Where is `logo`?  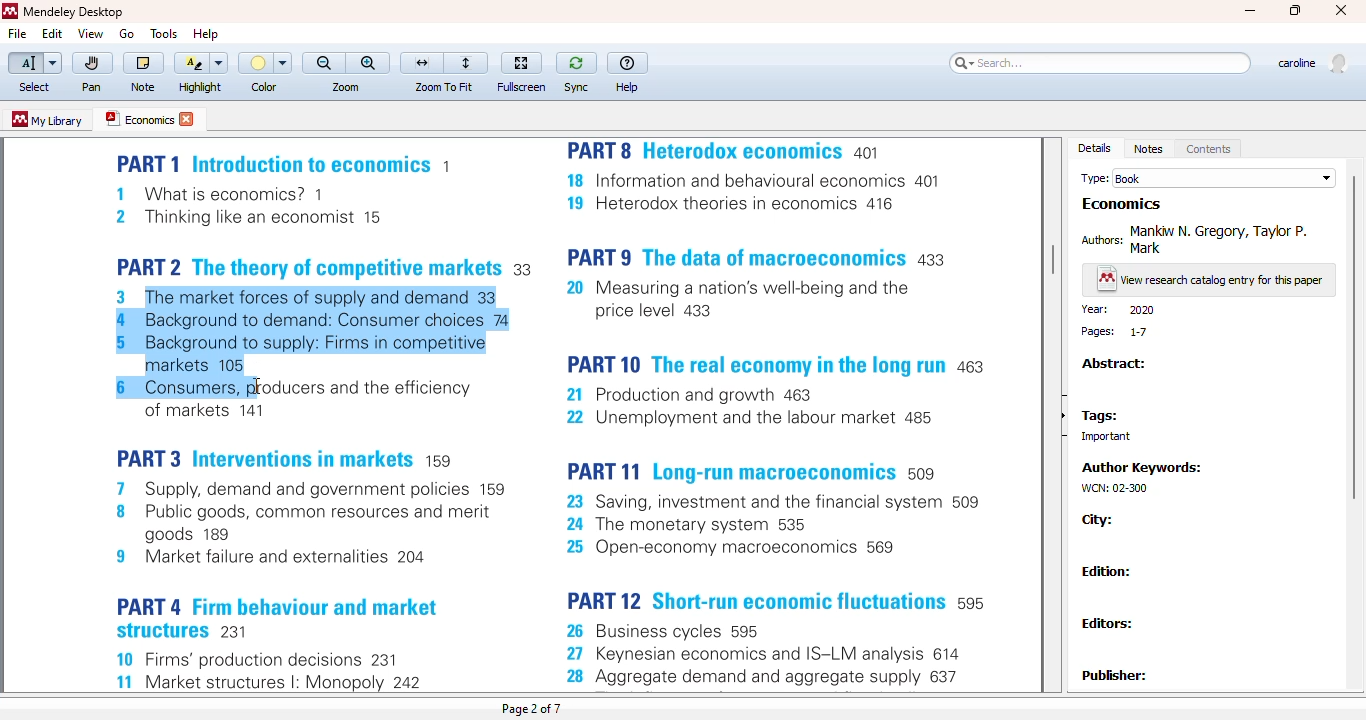
logo is located at coordinates (9, 11).